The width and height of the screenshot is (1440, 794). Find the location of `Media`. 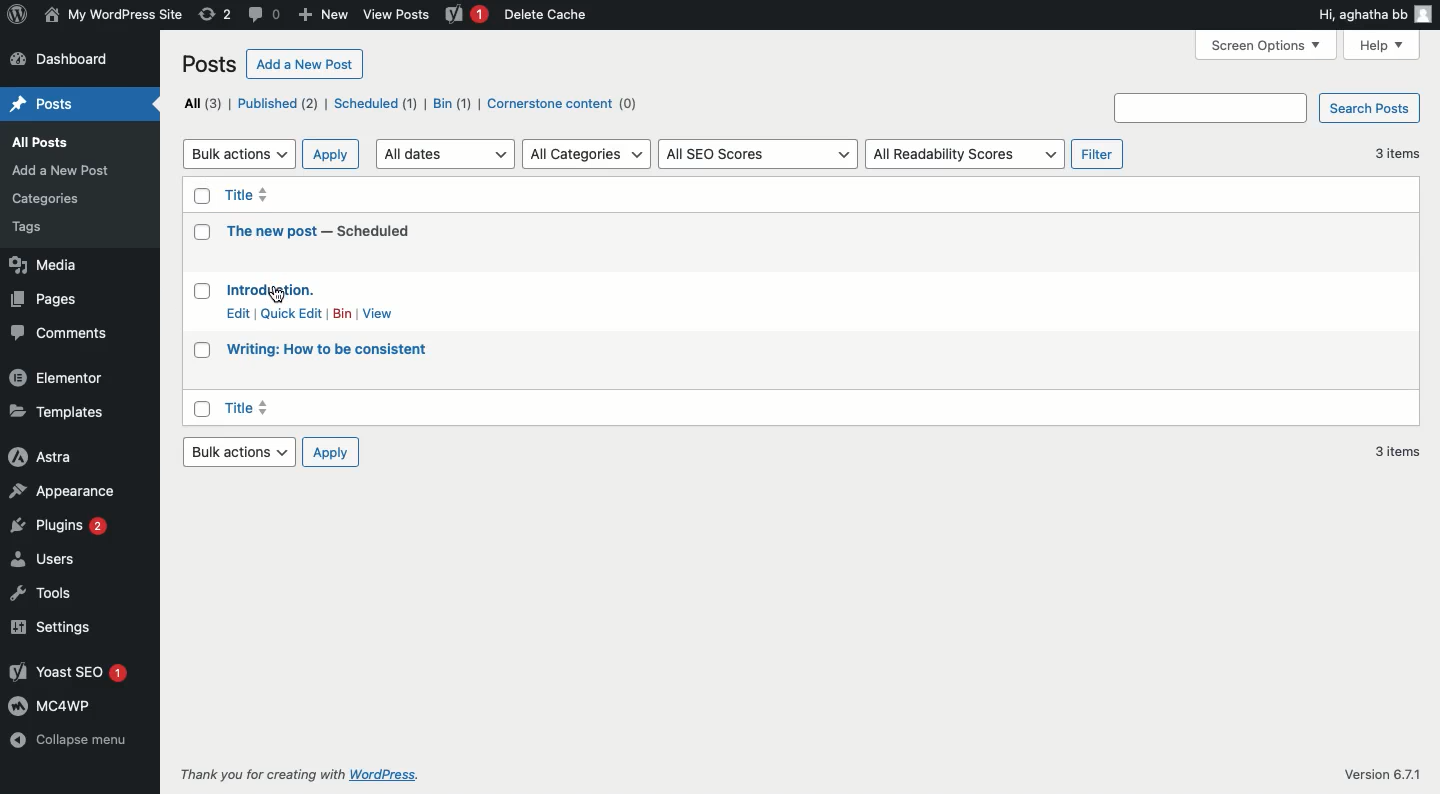

Media is located at coordinates (48, 265).